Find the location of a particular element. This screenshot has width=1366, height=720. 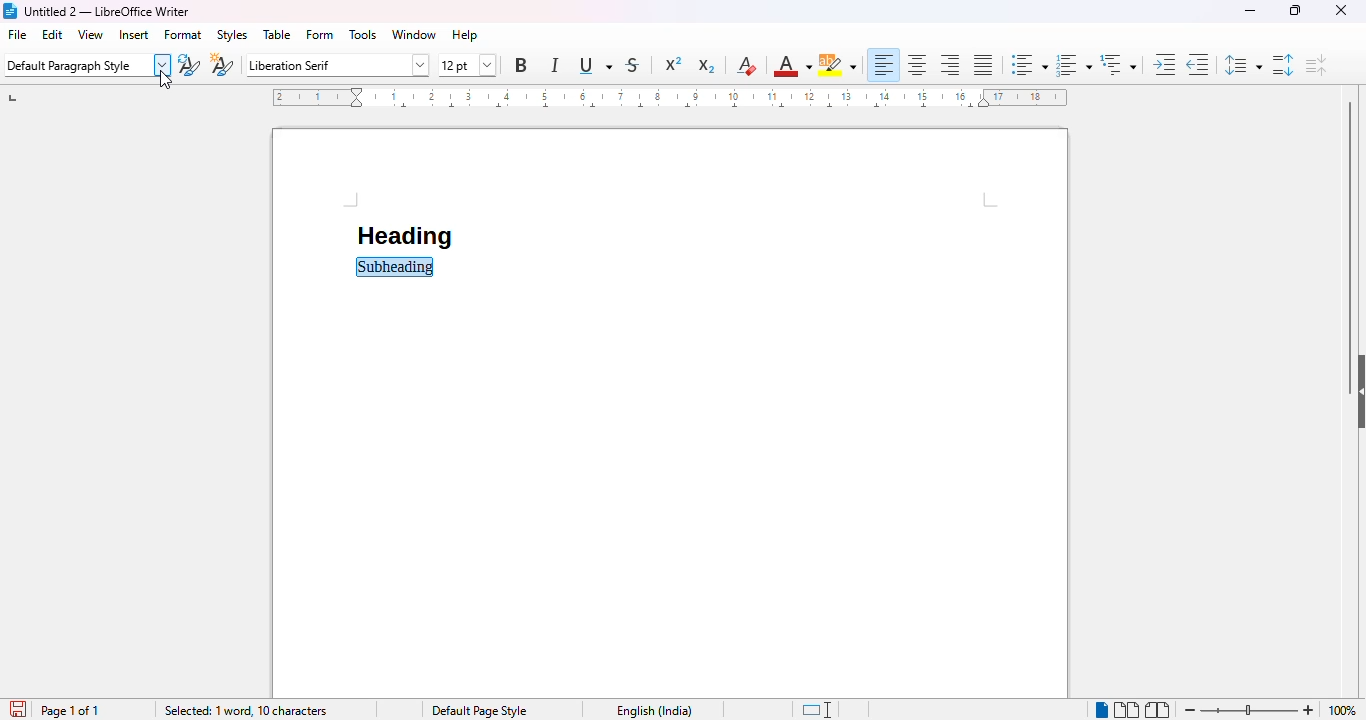

insert is located at coordinates (134, 35).